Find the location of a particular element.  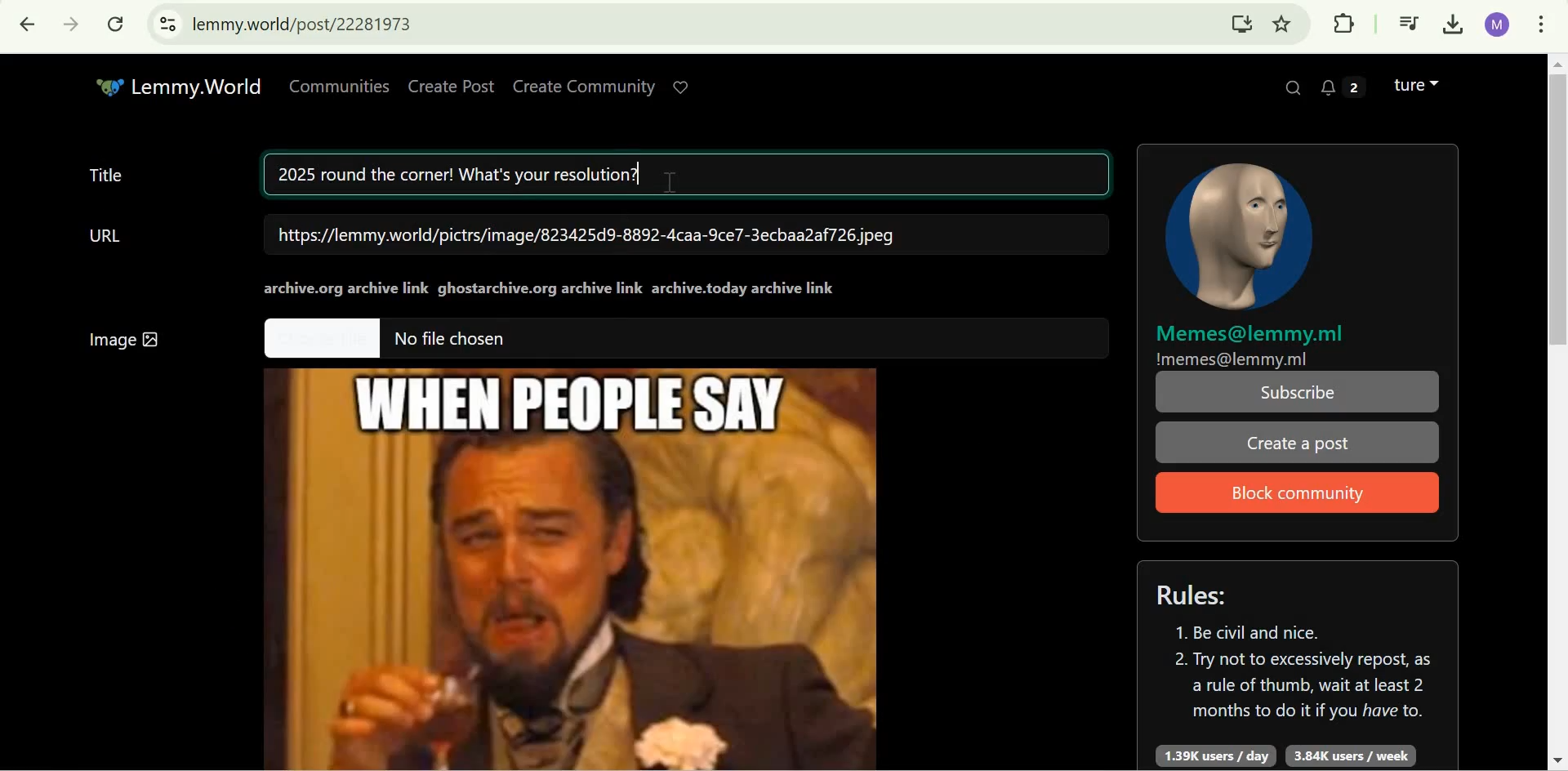

Scrollbar is located at coordinates (1552, 409).